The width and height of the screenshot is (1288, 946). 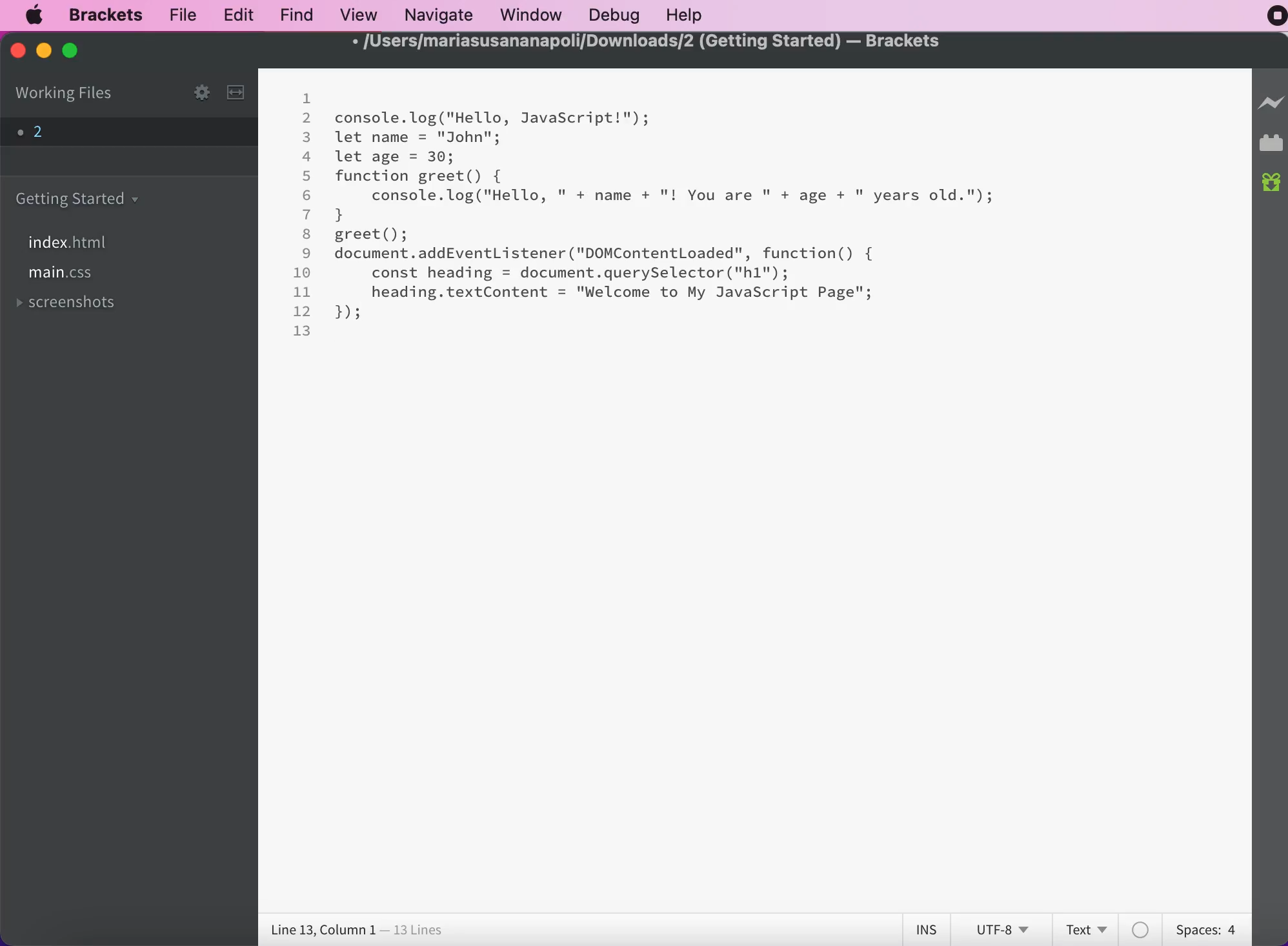 I want to click on mac logo, so click(x=35, y=15).